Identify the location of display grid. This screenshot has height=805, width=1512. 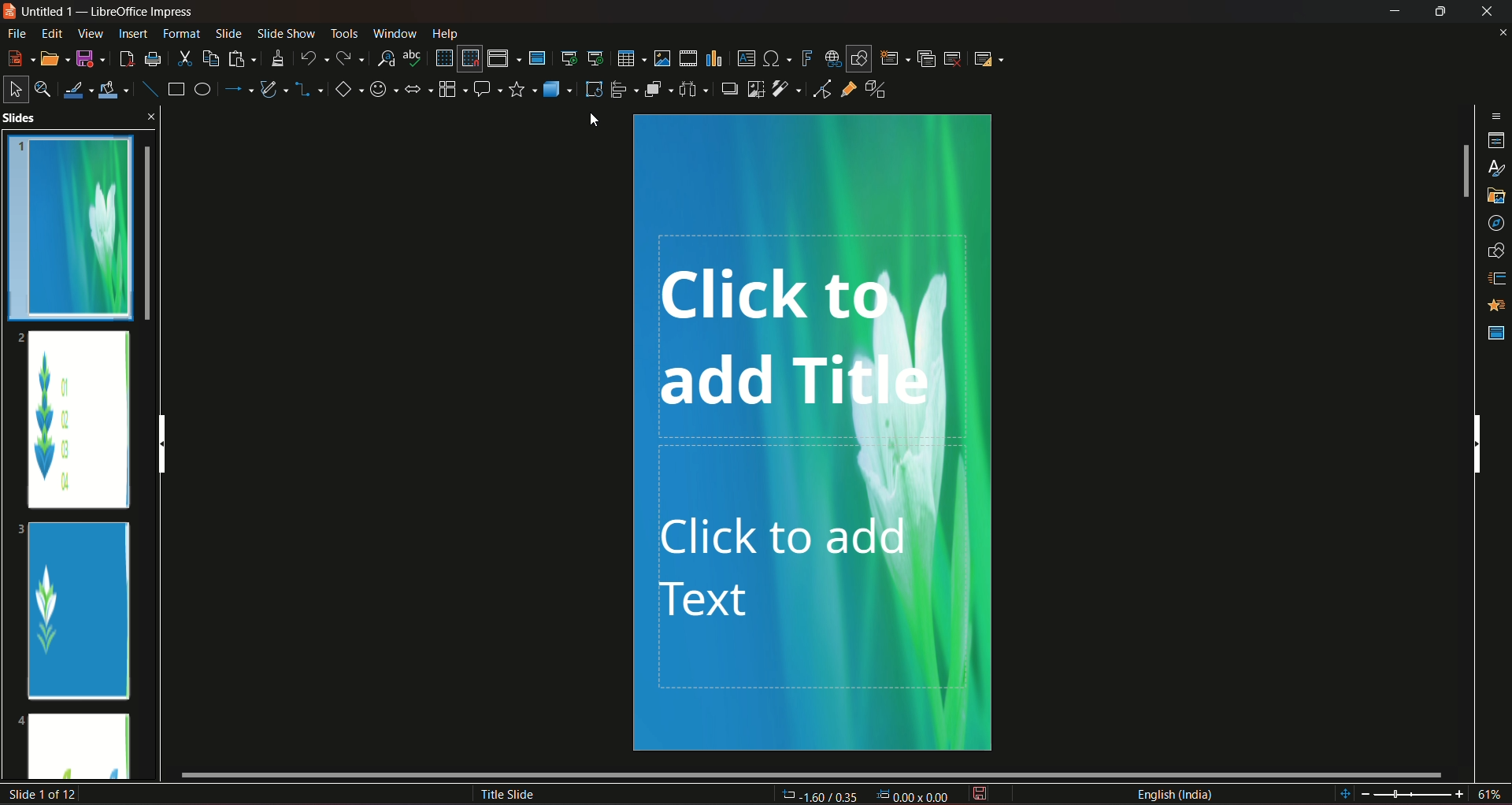
(443, 57).